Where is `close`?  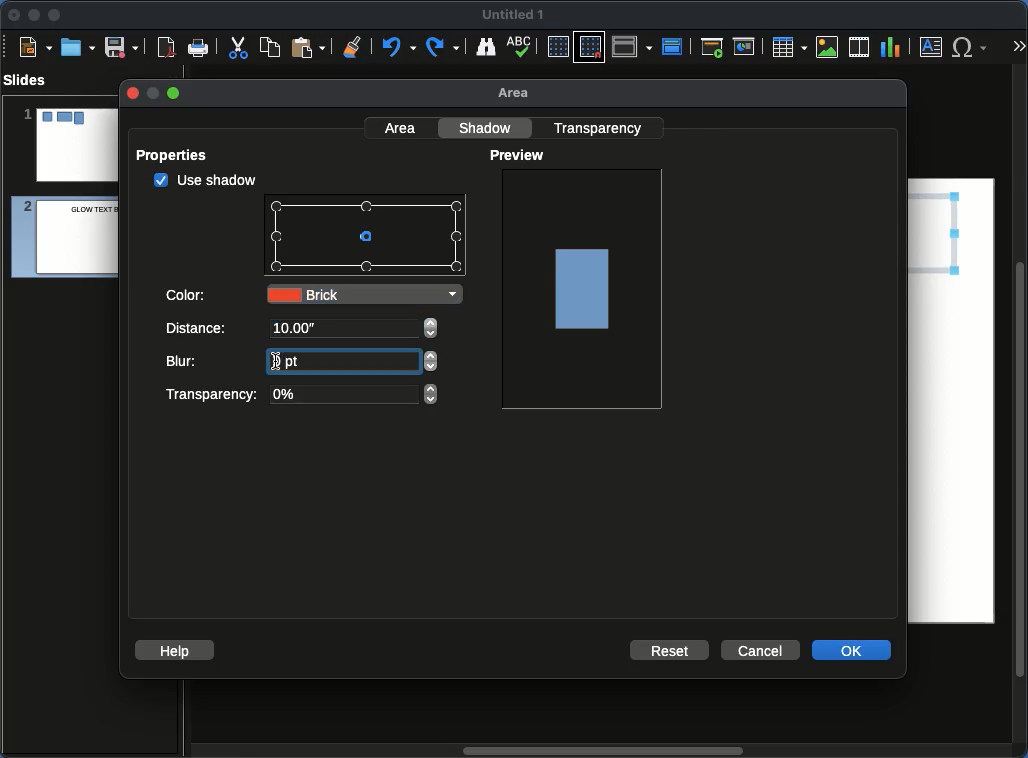 close is located at coordinates (131, 93).